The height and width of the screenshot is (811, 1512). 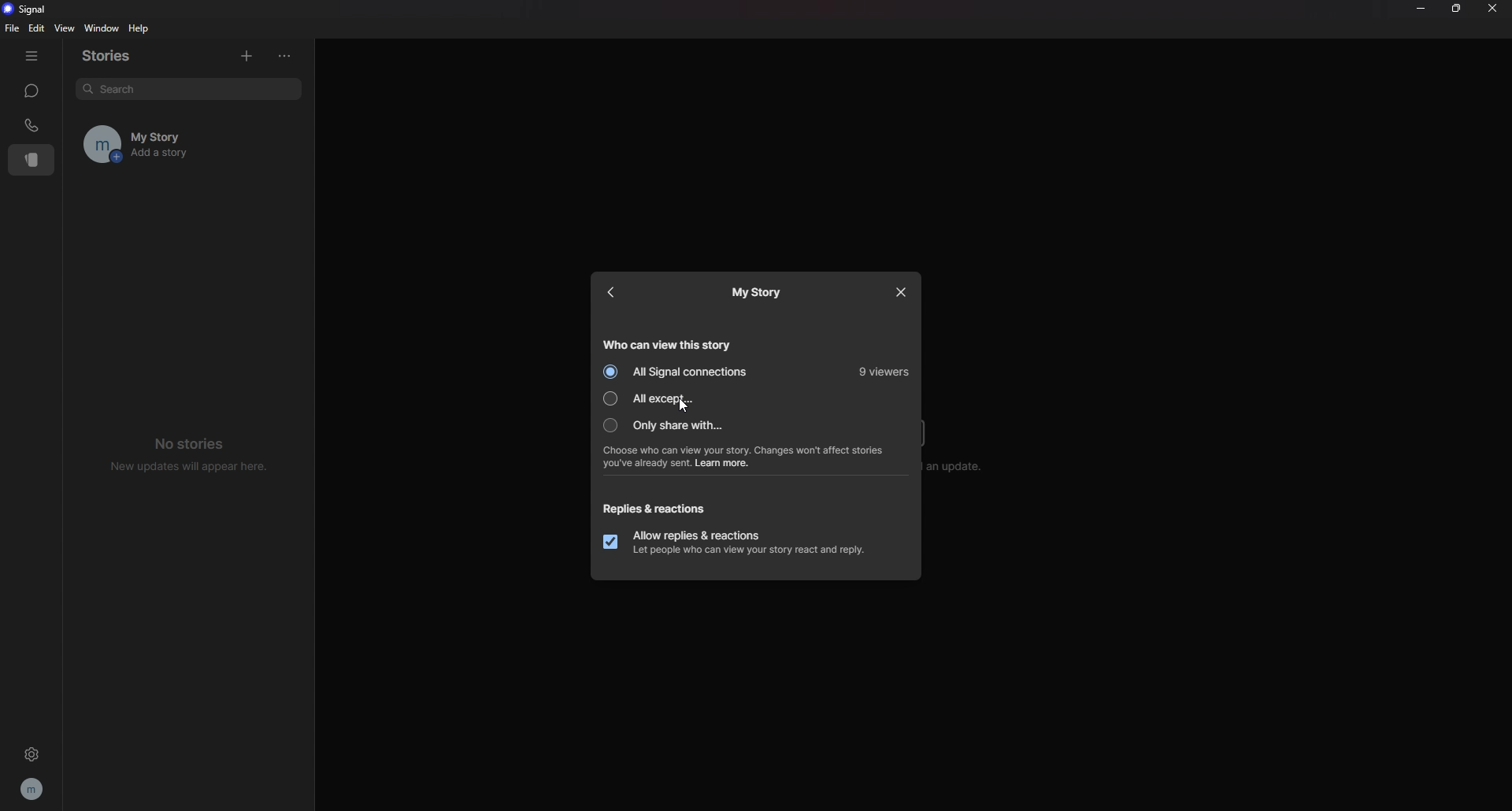 What do you see at coordinates (168, 144) in the screenshot?
I see `my story add a story` at bounding box center [168, 144].